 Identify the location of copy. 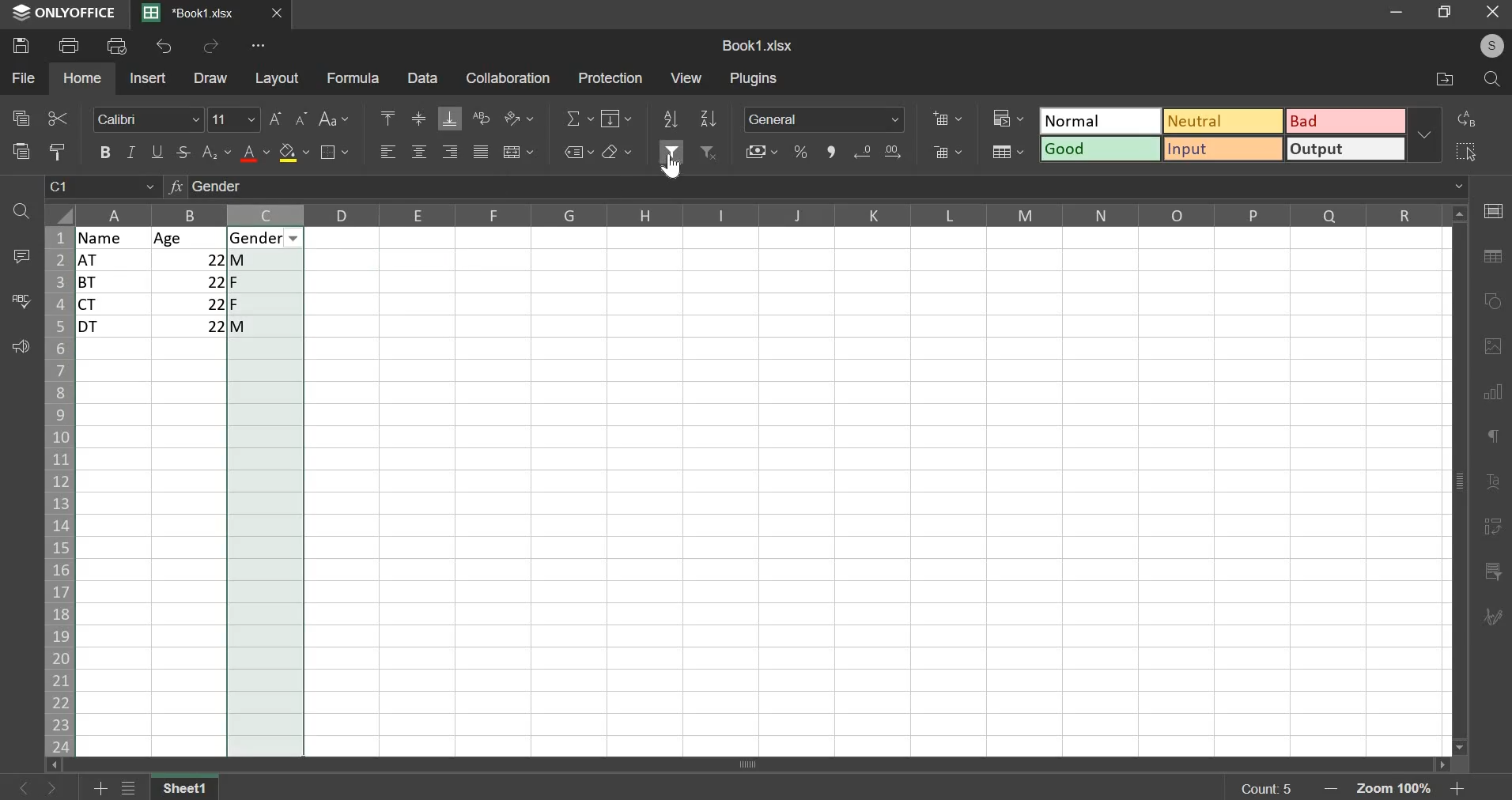
(21, 116).